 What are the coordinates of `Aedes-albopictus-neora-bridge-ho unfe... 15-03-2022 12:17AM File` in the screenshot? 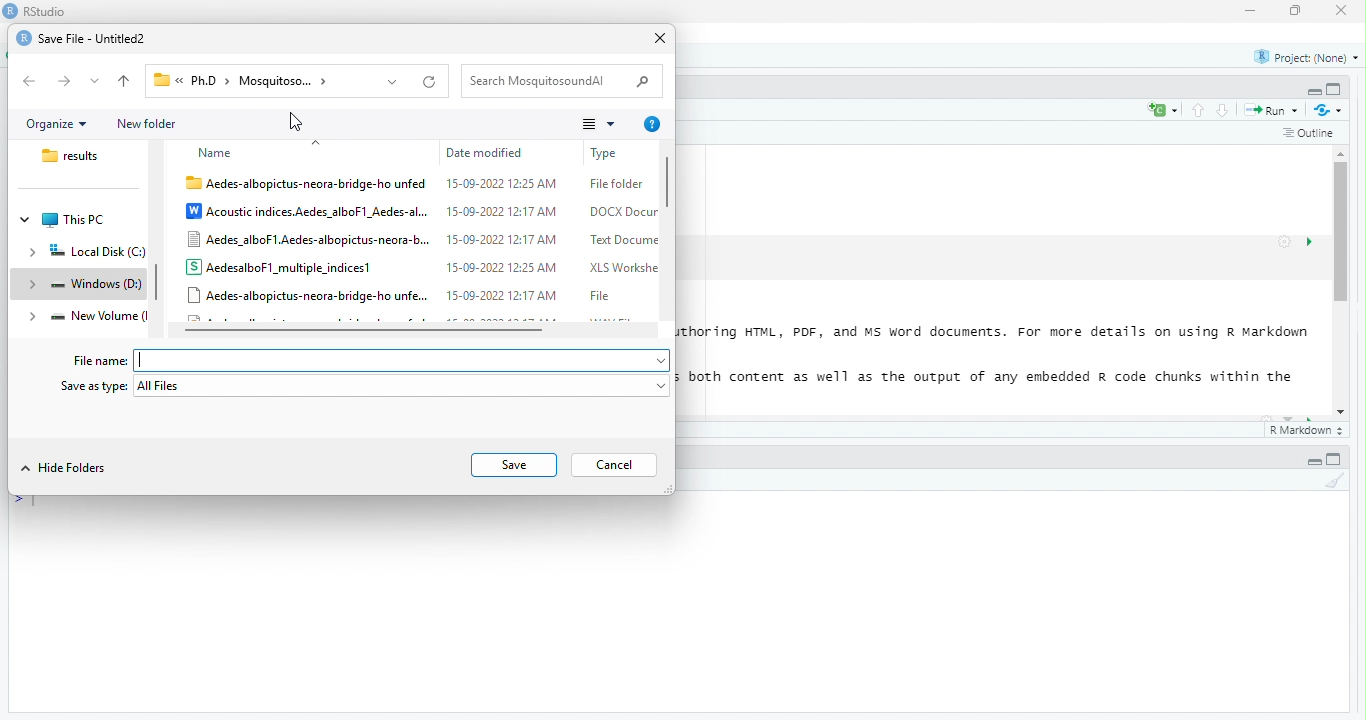 It's located at (402, 295).